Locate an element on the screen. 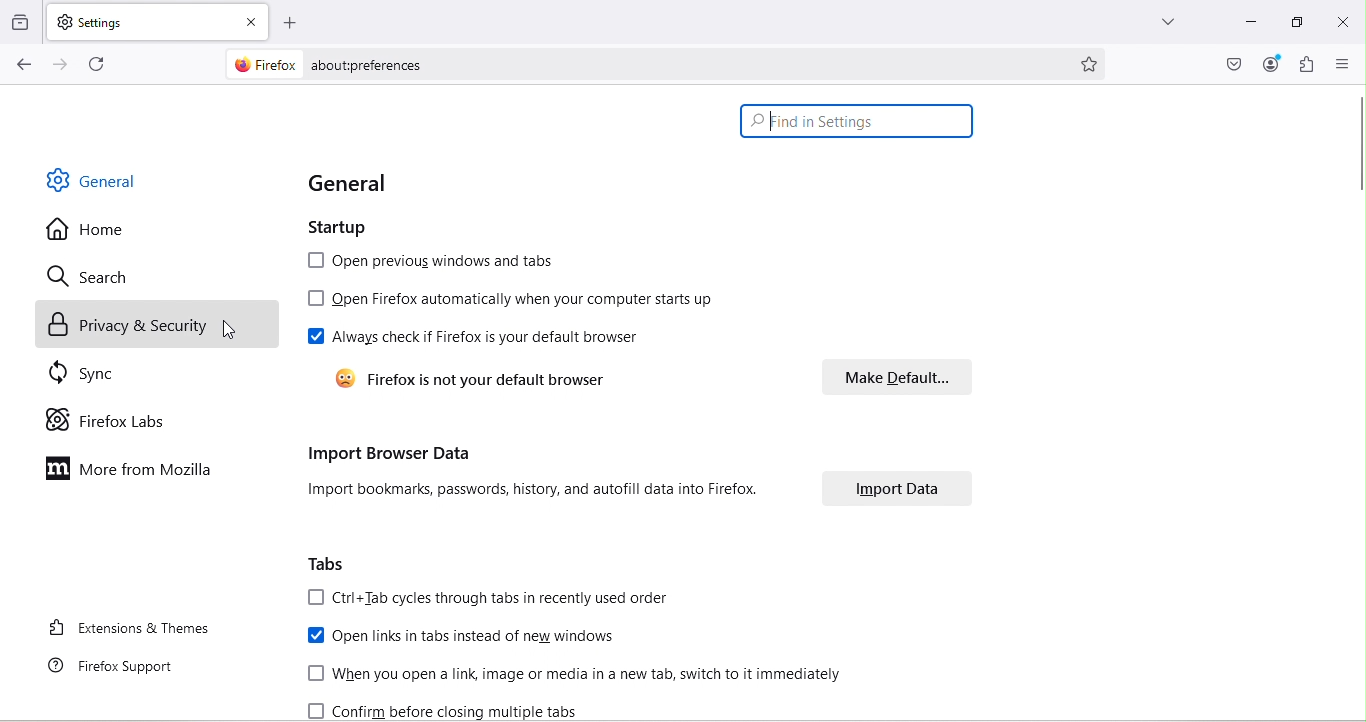 Image resolution: width=1366 pixels, height=722 pixels. about:preferences is located at coordinates (686, 64).